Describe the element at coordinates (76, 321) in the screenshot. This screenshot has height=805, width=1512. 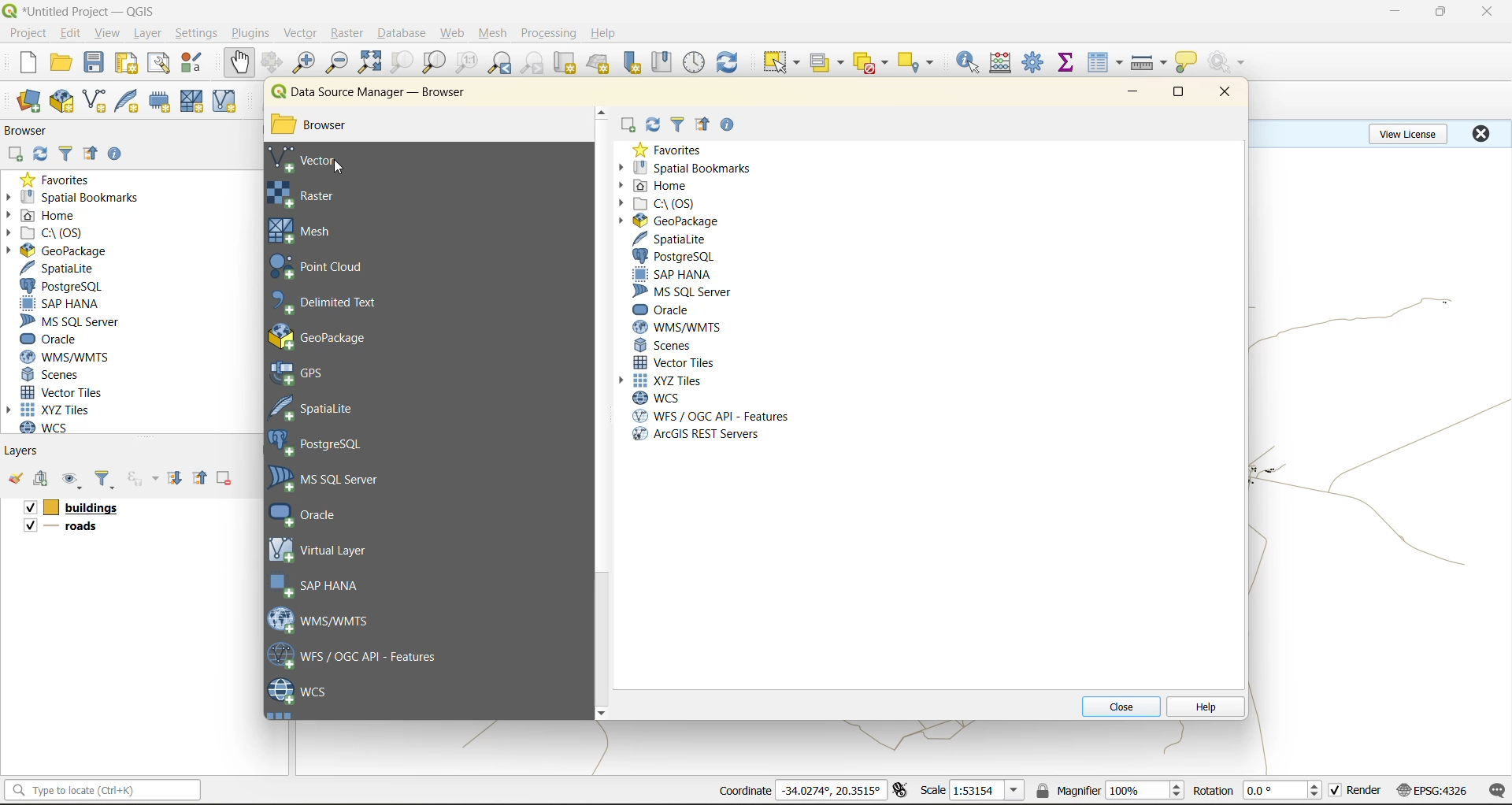
I see `ms sql server` at that location.